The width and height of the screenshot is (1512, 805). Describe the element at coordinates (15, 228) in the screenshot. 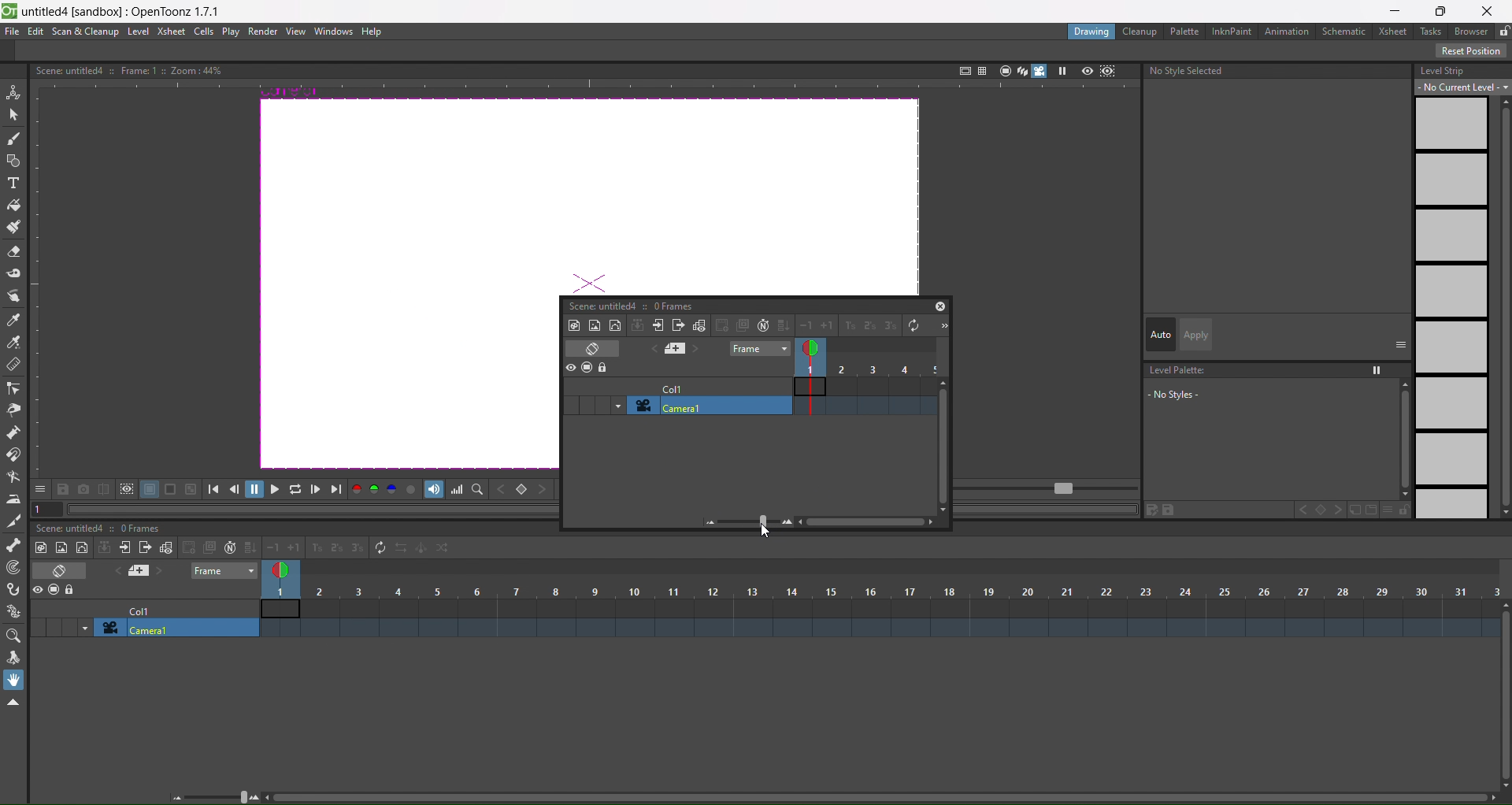

I see `paint brush tool` at that location.